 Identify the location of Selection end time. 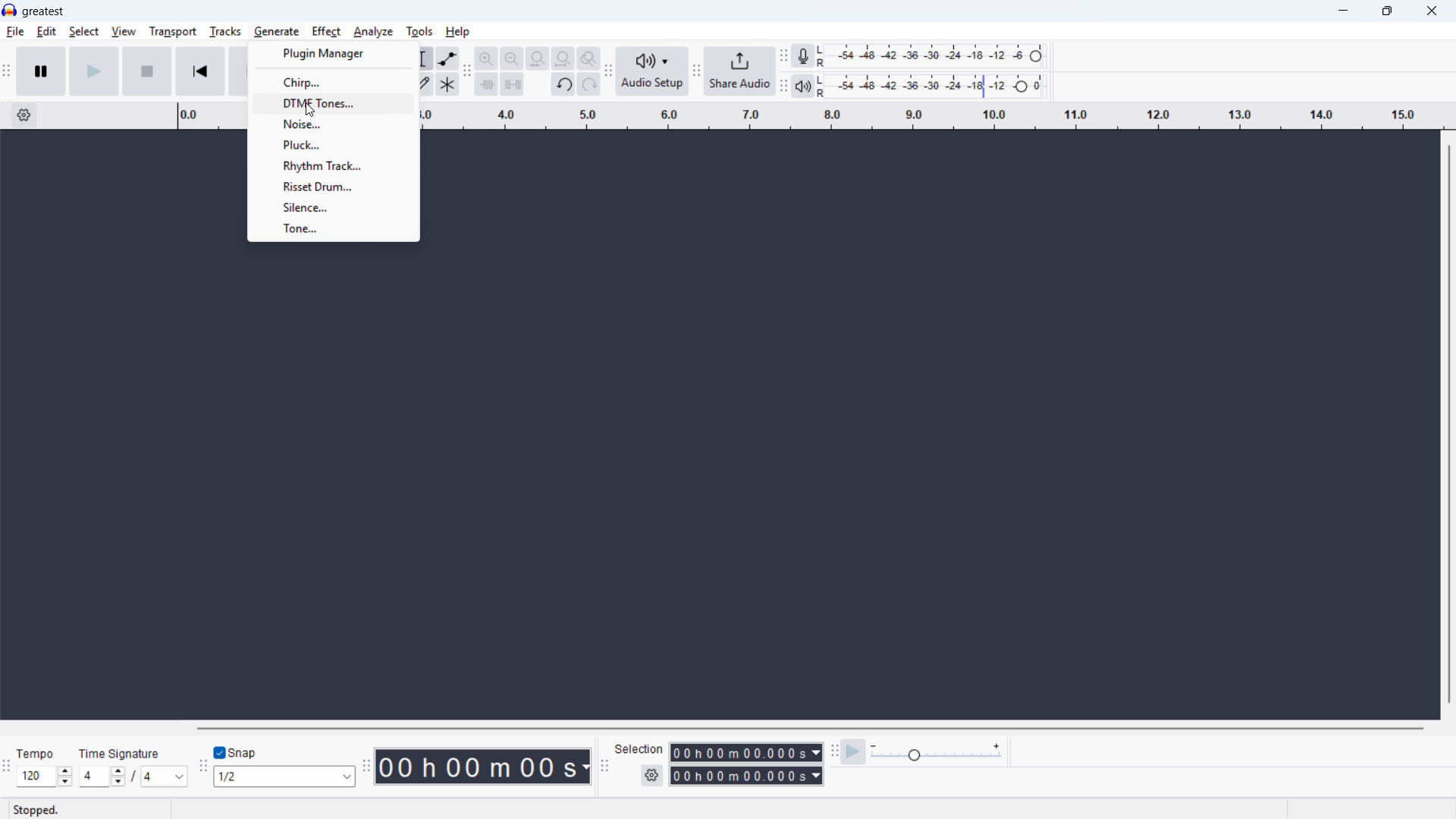
(745, 774).